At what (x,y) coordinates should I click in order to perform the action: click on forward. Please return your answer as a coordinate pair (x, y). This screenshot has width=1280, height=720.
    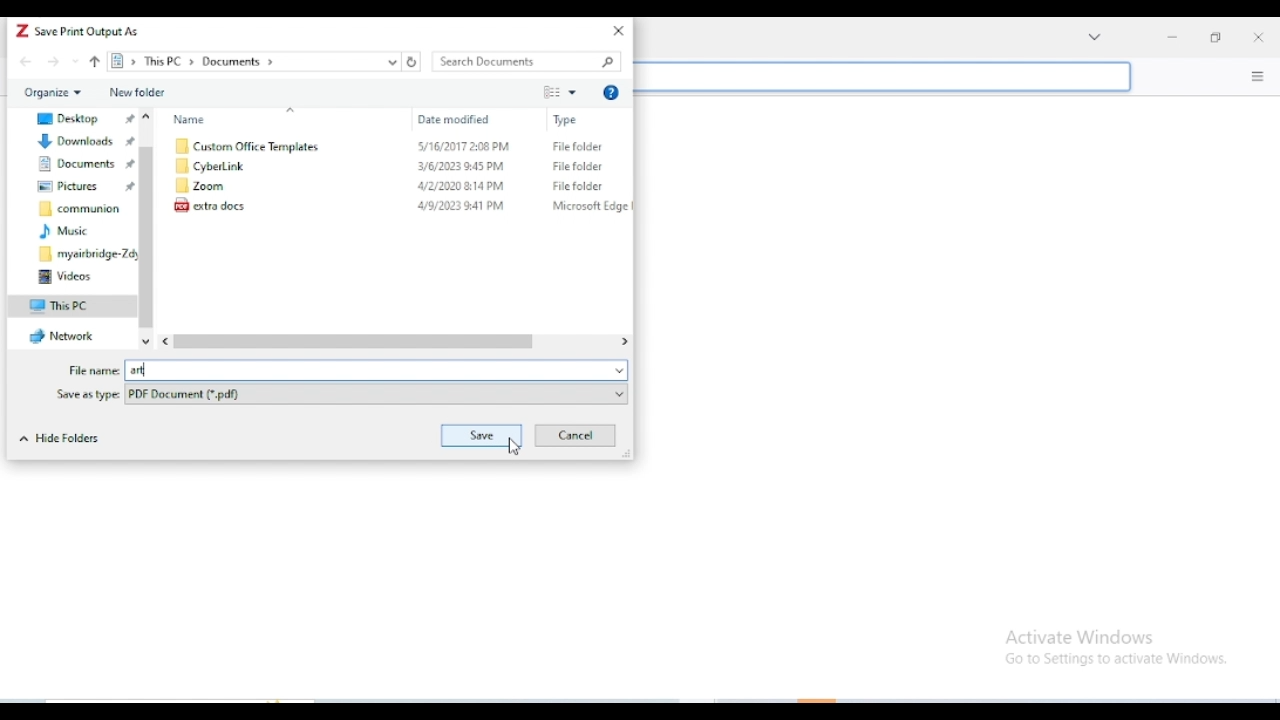
    Looking at the image, I should click on (53, 61).